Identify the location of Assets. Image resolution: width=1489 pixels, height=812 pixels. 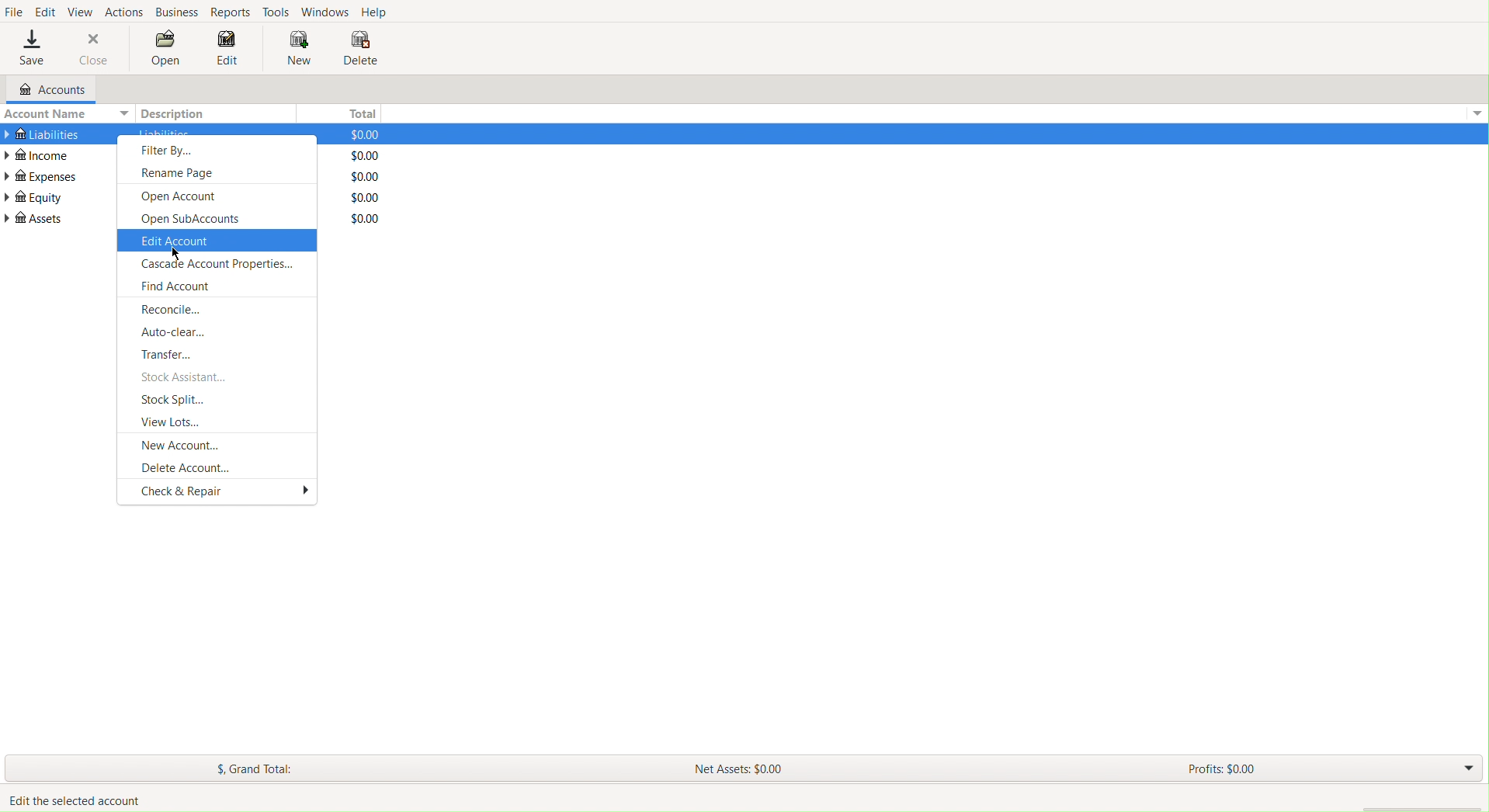
(36, 218).